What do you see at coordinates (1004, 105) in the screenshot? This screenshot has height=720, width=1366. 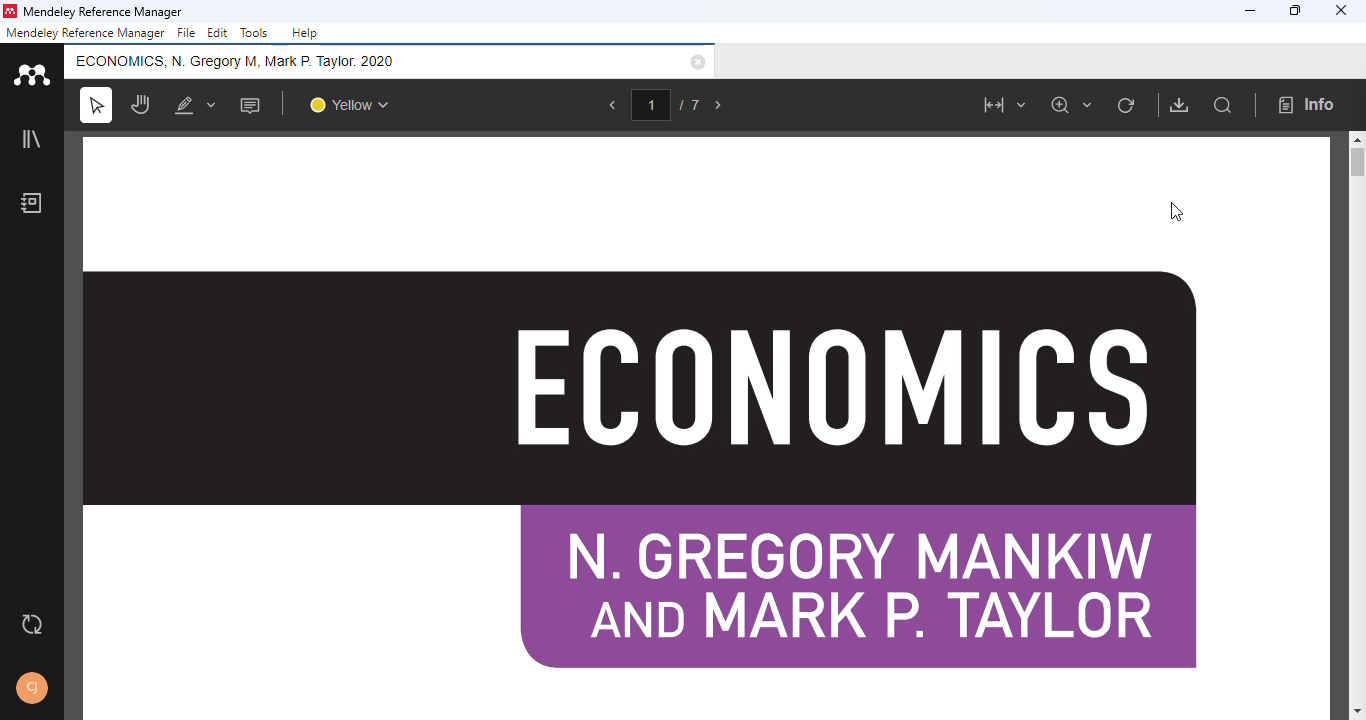 I see `fit to width / fit to height` at bounding box center [1004, 105].